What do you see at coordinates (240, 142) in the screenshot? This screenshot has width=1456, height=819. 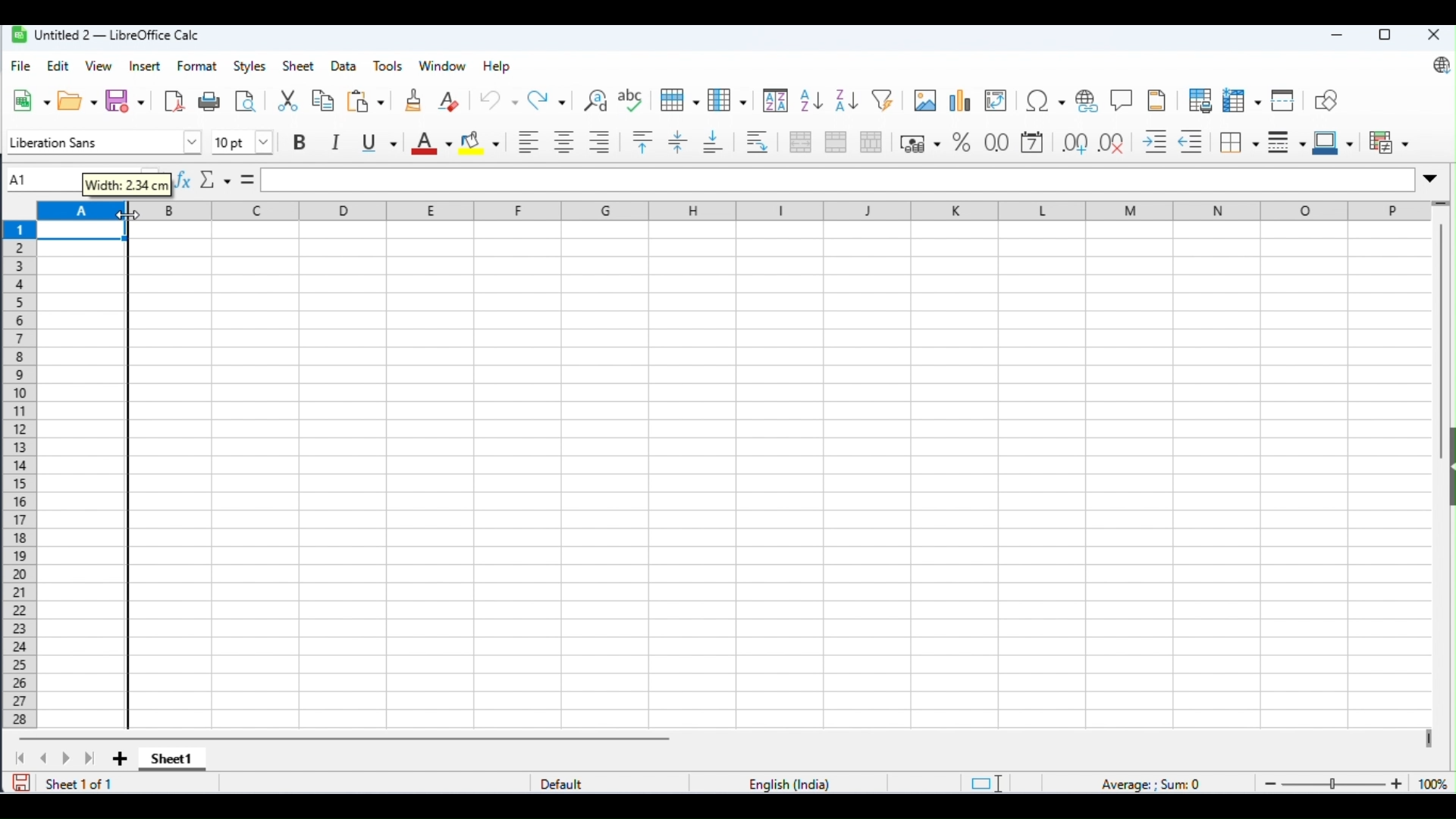 I see `font size` at bounding box center [240, 142].